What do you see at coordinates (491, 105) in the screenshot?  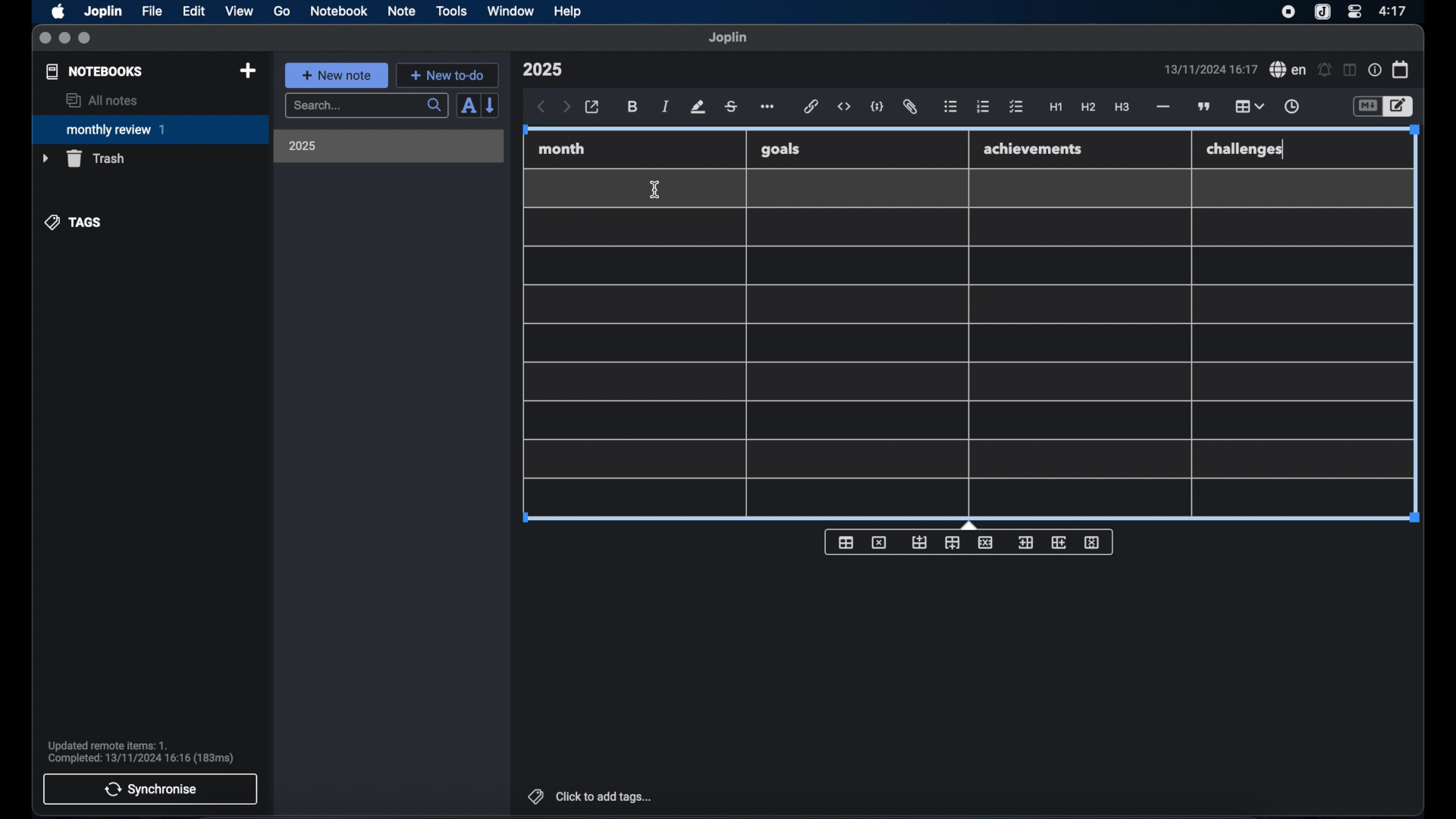 I see `reverse sort order` at bounding box center [491, 105].